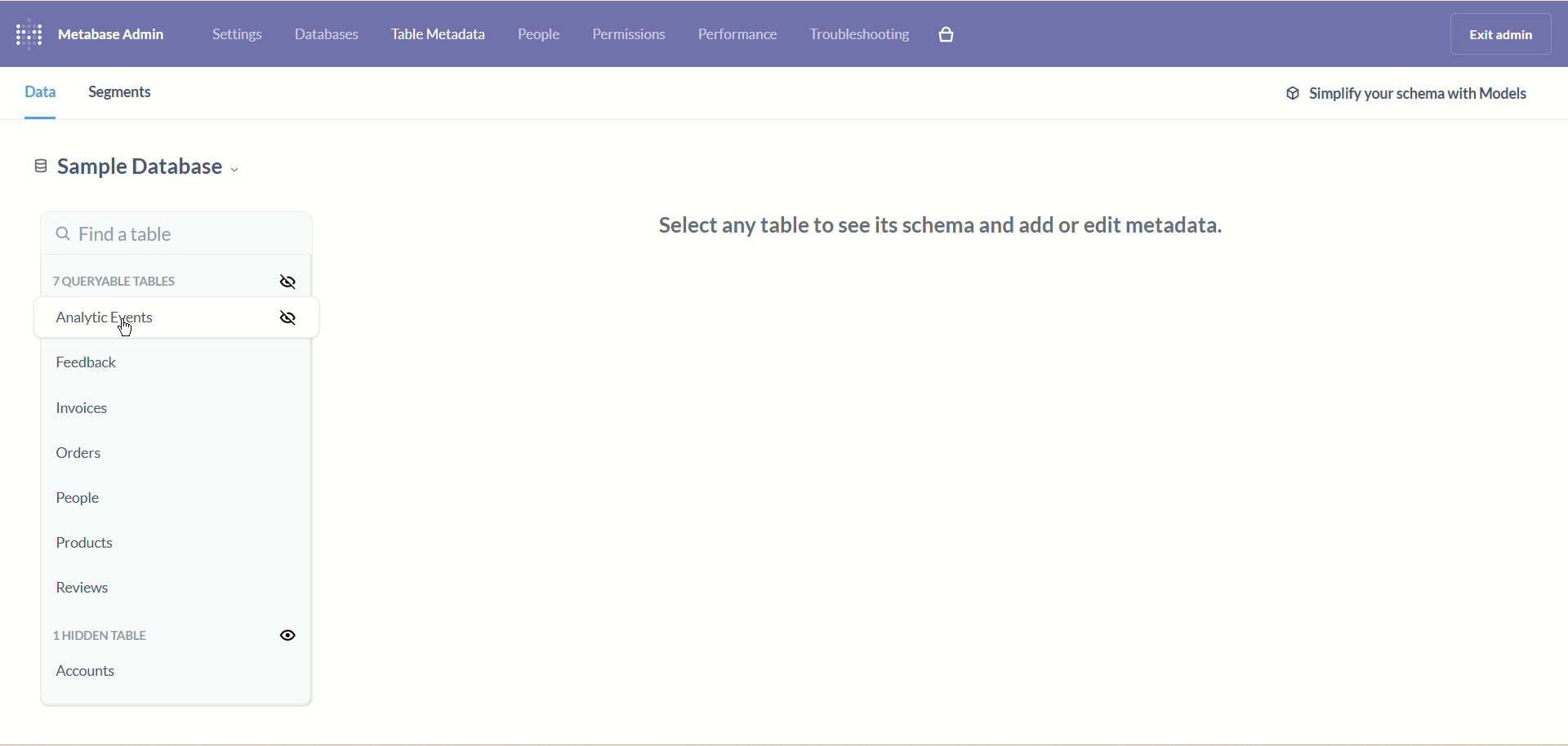 The width and height of the screenshot is (1568, 746). Describe the element at coordinates (154, 168) in the screenshot. I see `Sample database` at that location.